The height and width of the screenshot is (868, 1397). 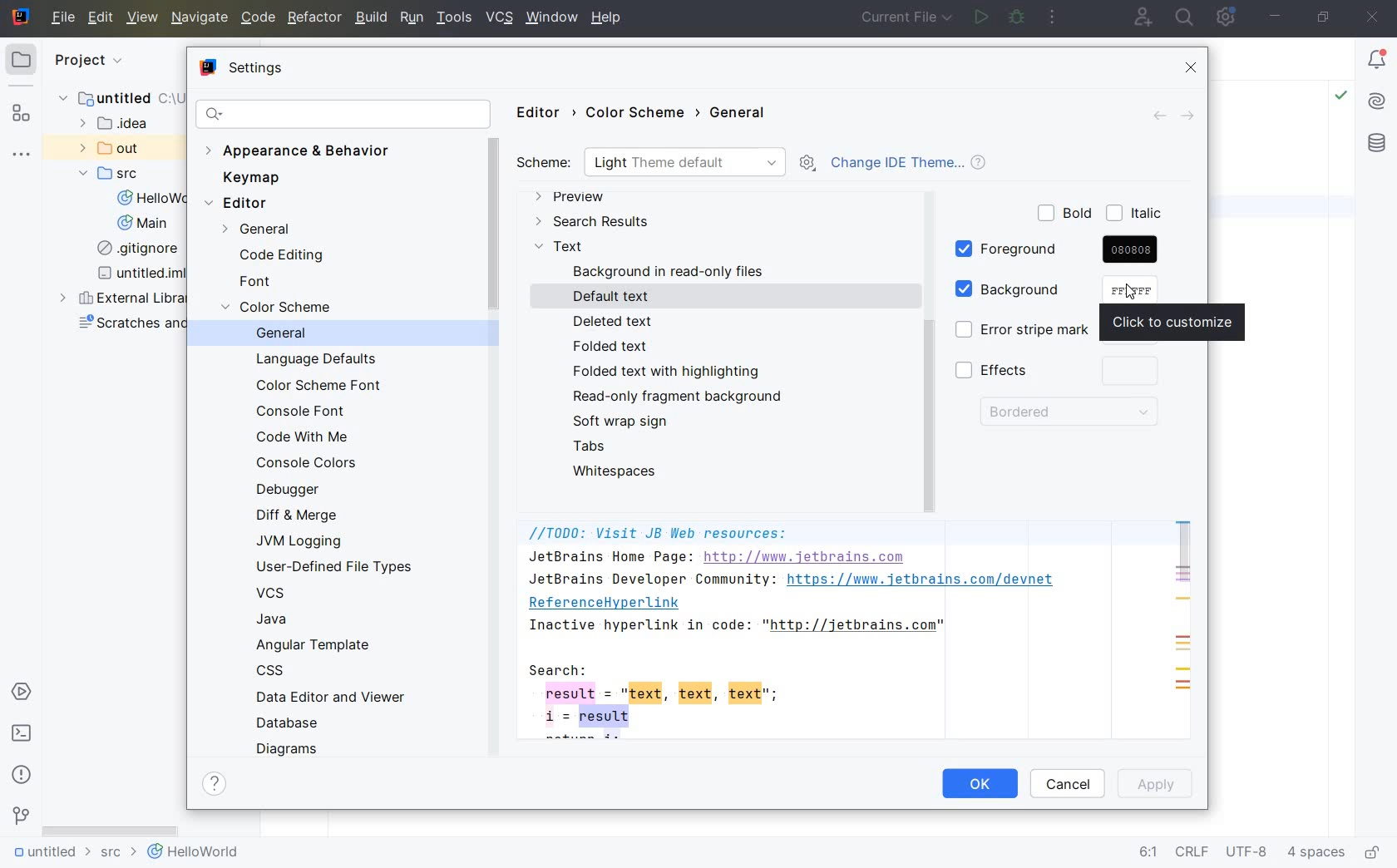 I want to click on DATA EDITOR AND VIEWER, so click(x=328, y=698).